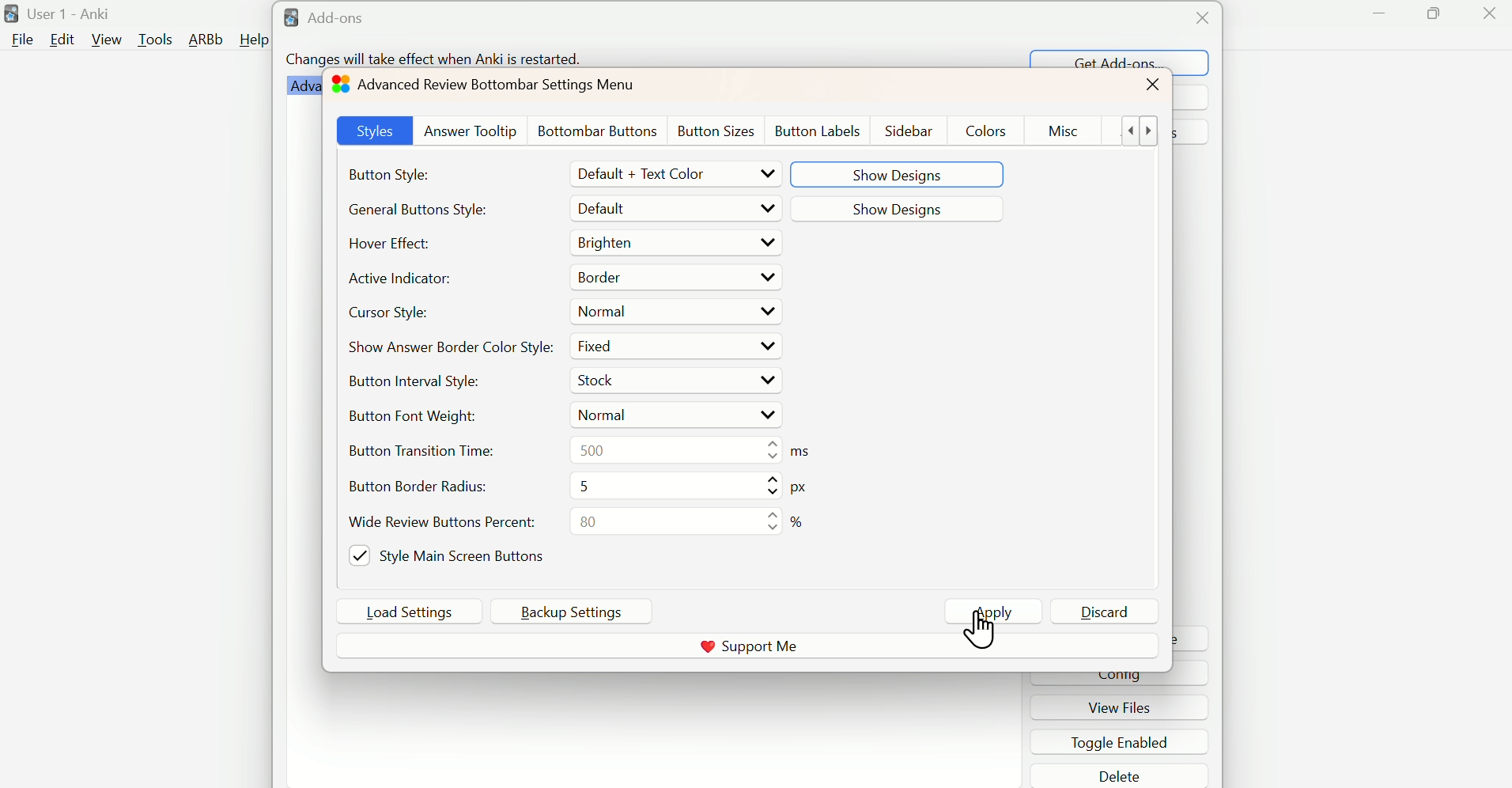 This screenshot has width=1512, height=788. What do you see at coordinates (1098, 610) in the screenshot?
I see `Discard` at bounding box center [1098, 610].